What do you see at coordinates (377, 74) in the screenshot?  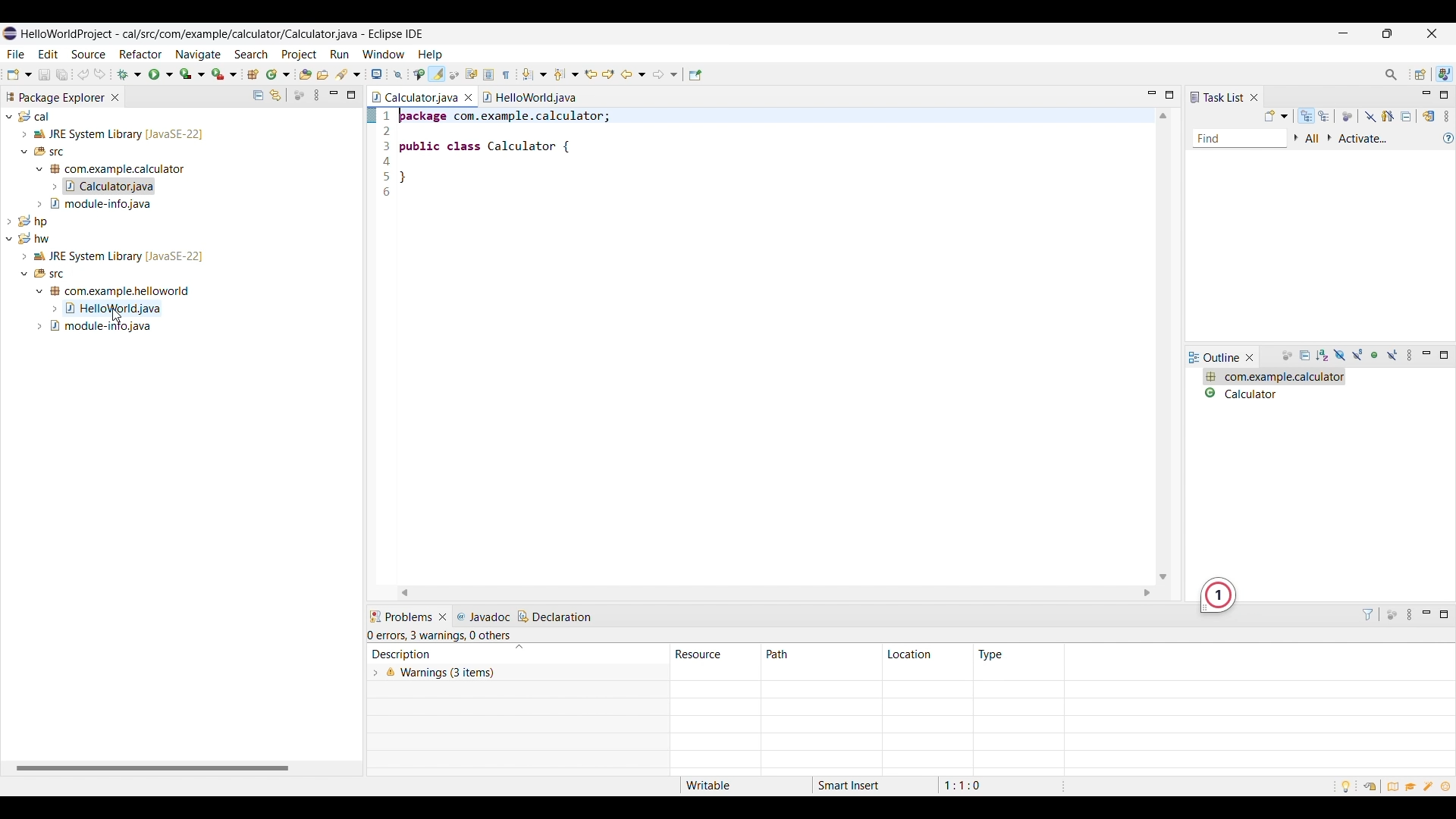 I see `Open a terminal` at bounding box center [377, 74].